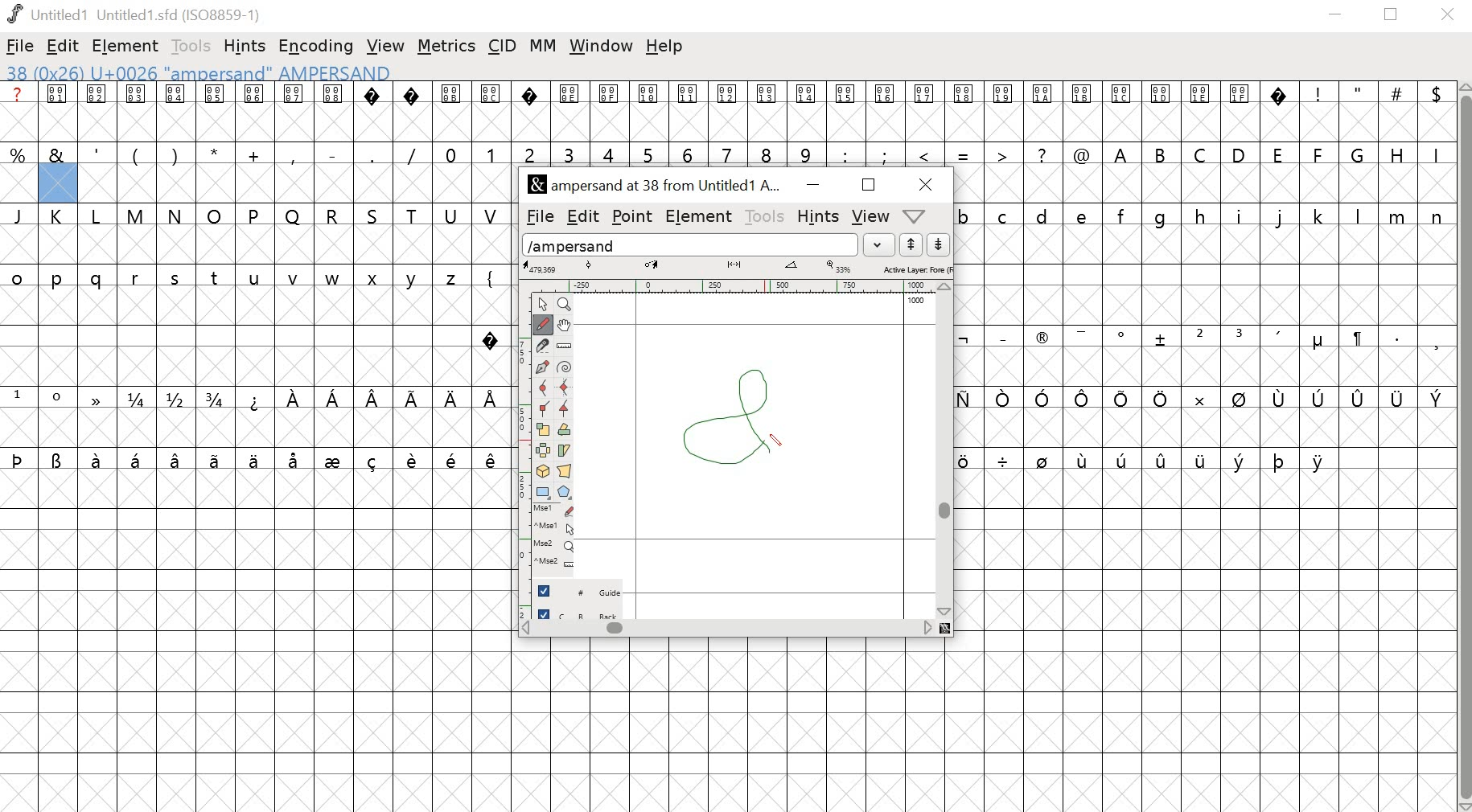 This screenshot has height=812, width=1472. Describe the element at coordinates (332, 110) in the screenshot. I see `0008` at that location.